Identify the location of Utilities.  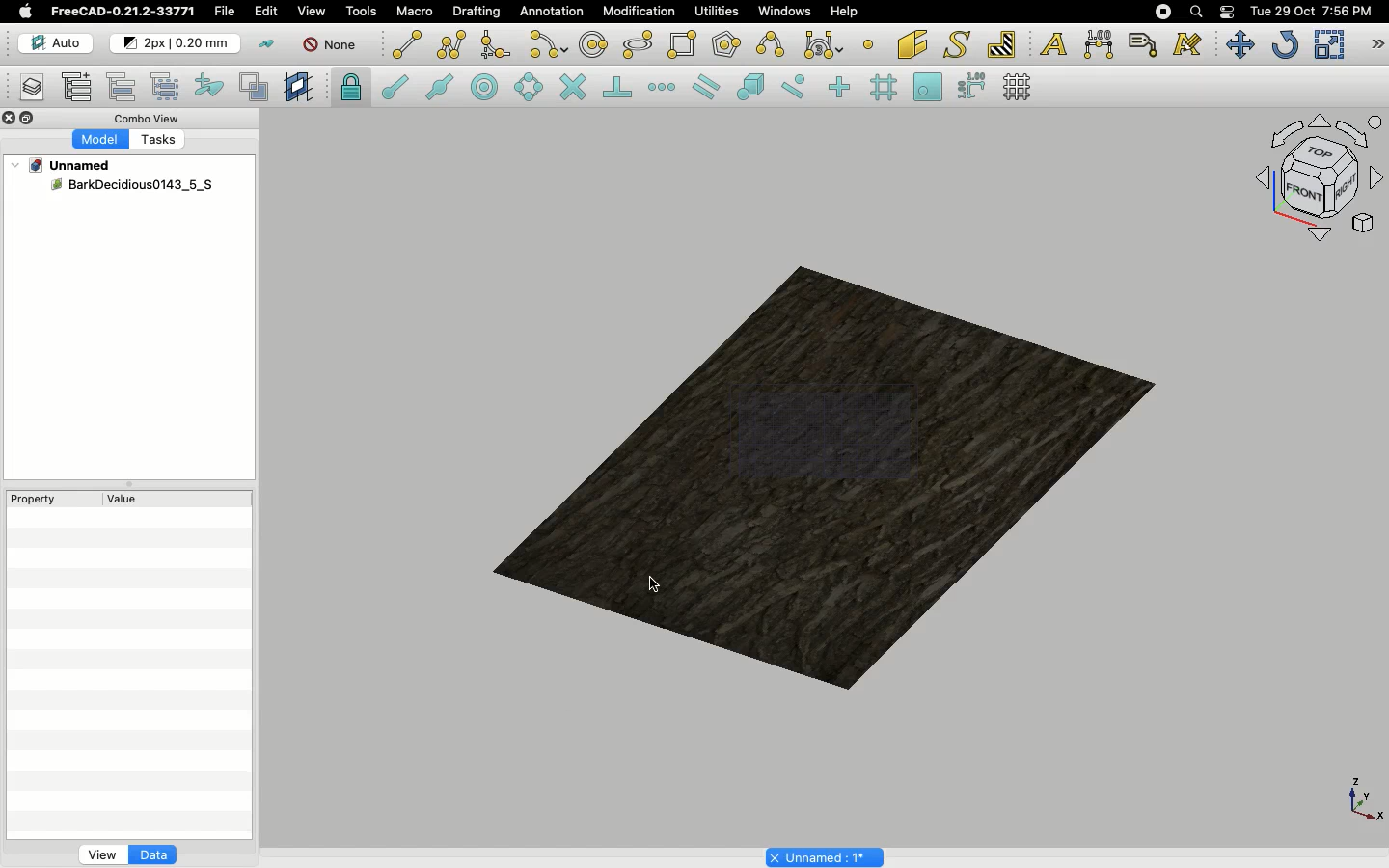
(721, 13).